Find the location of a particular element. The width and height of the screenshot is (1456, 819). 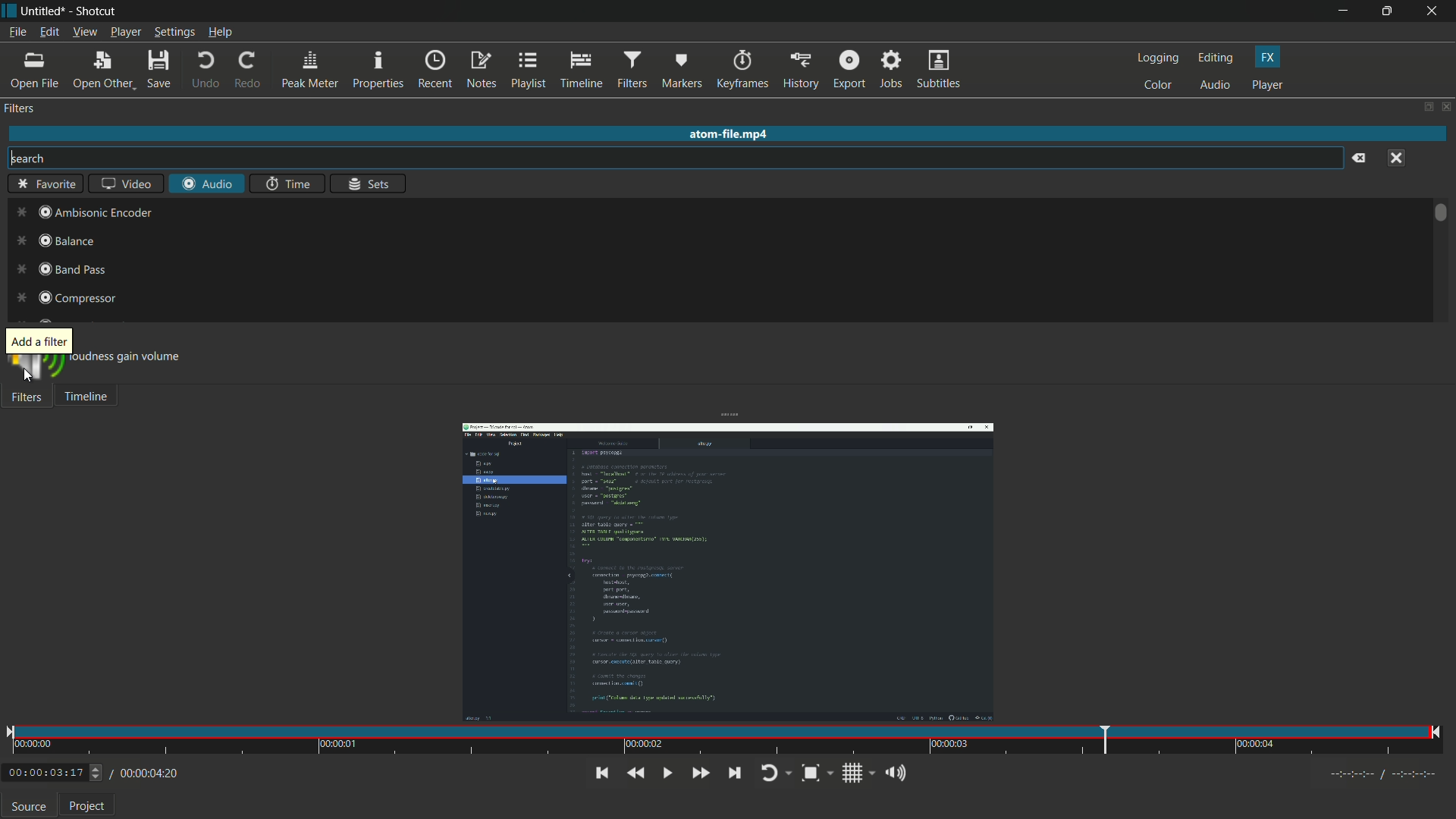

timeline is located at coordinates (580, 70).